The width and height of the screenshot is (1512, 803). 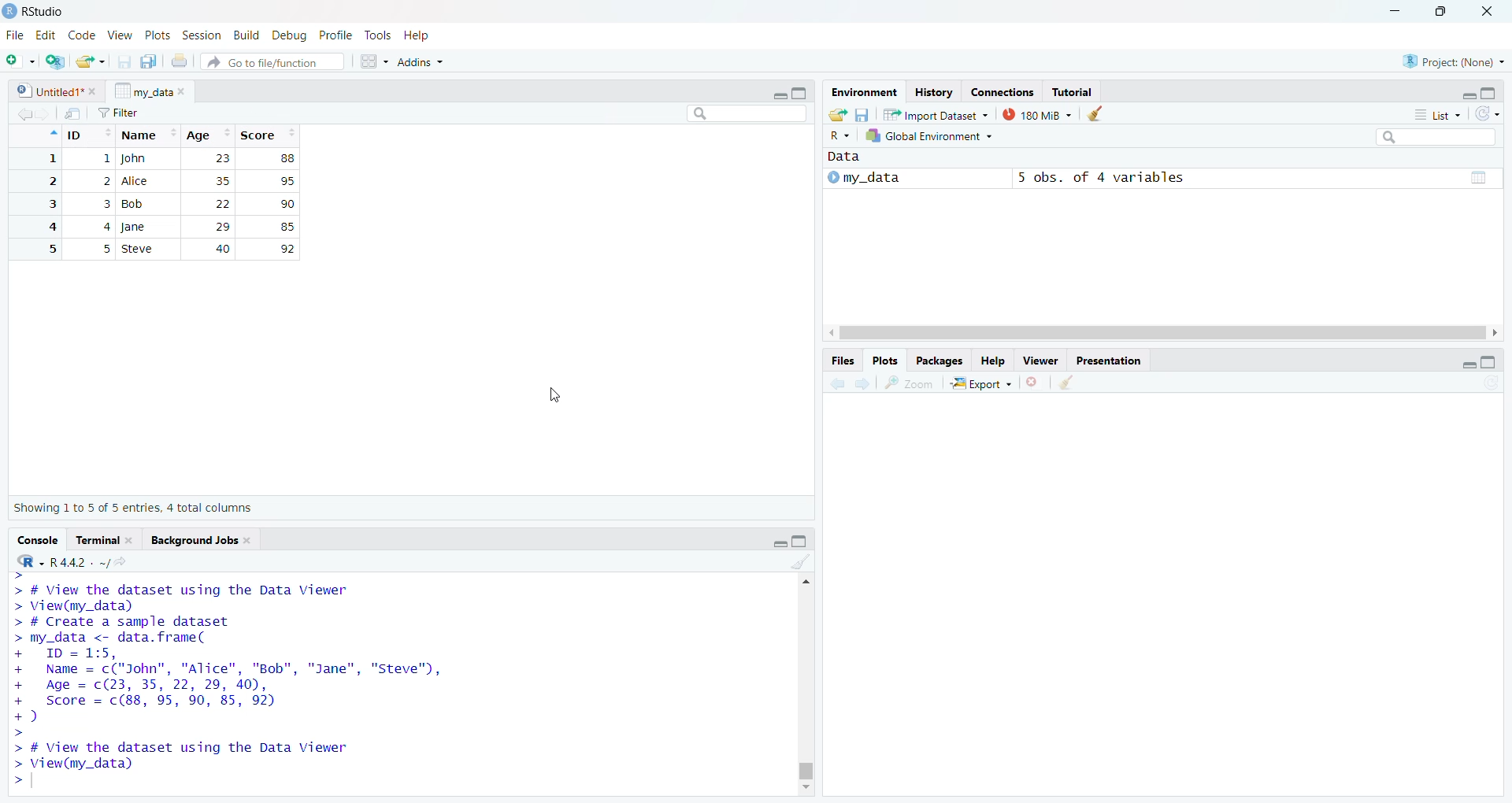 I want to click on Build, so click(x=246, y=35).